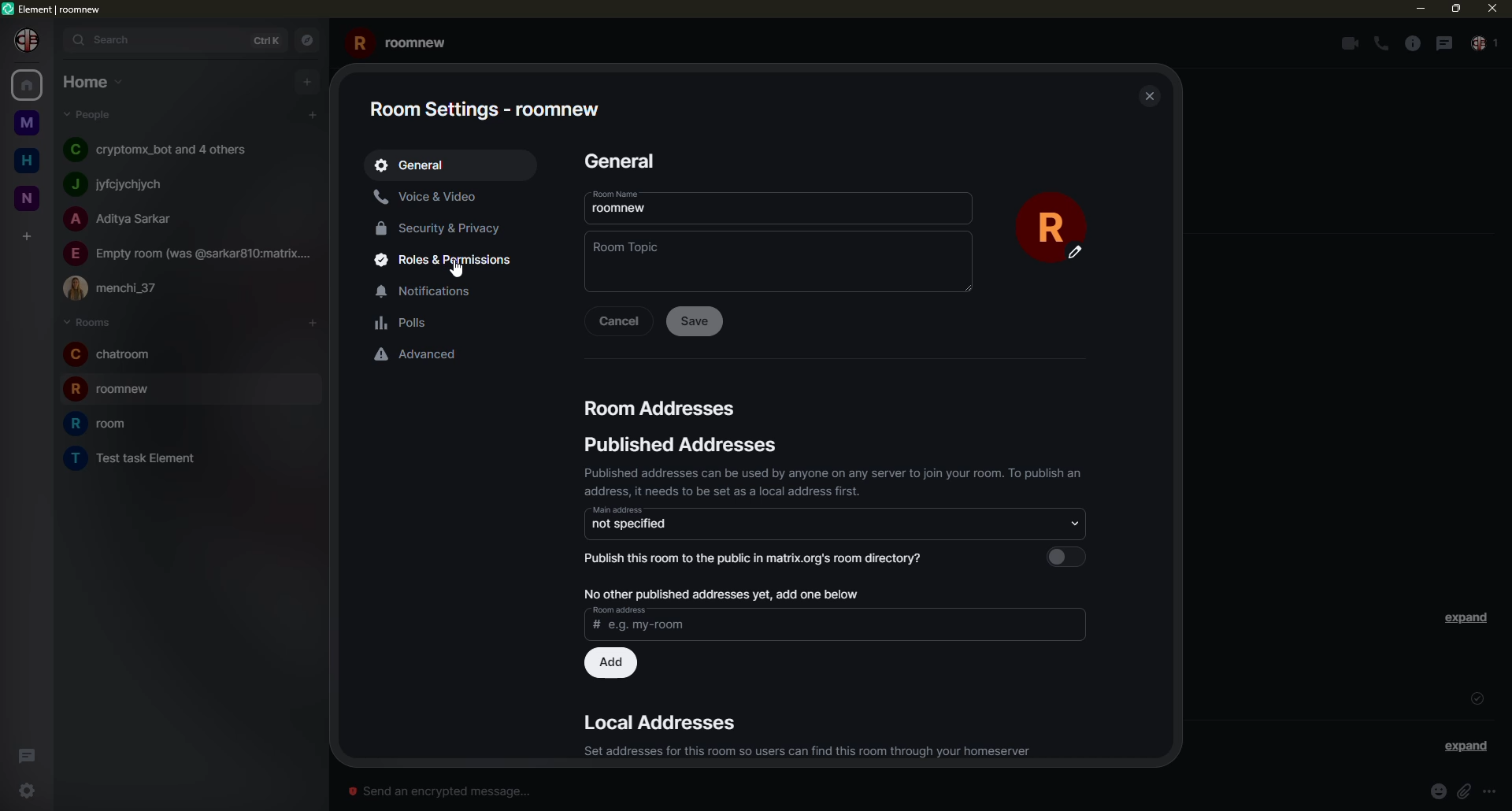  I want to click on topic, so click(634, 247).